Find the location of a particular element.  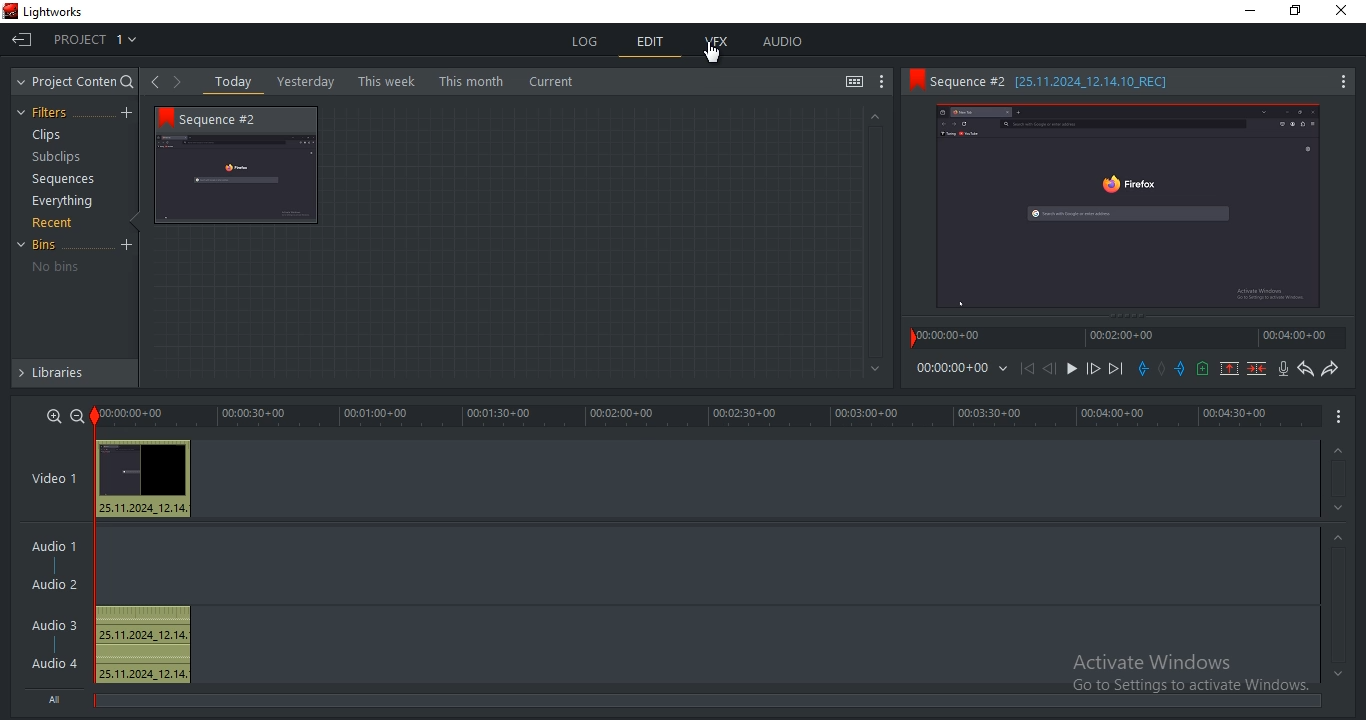

Show: Project 1 is located at coordinates (99, 39).